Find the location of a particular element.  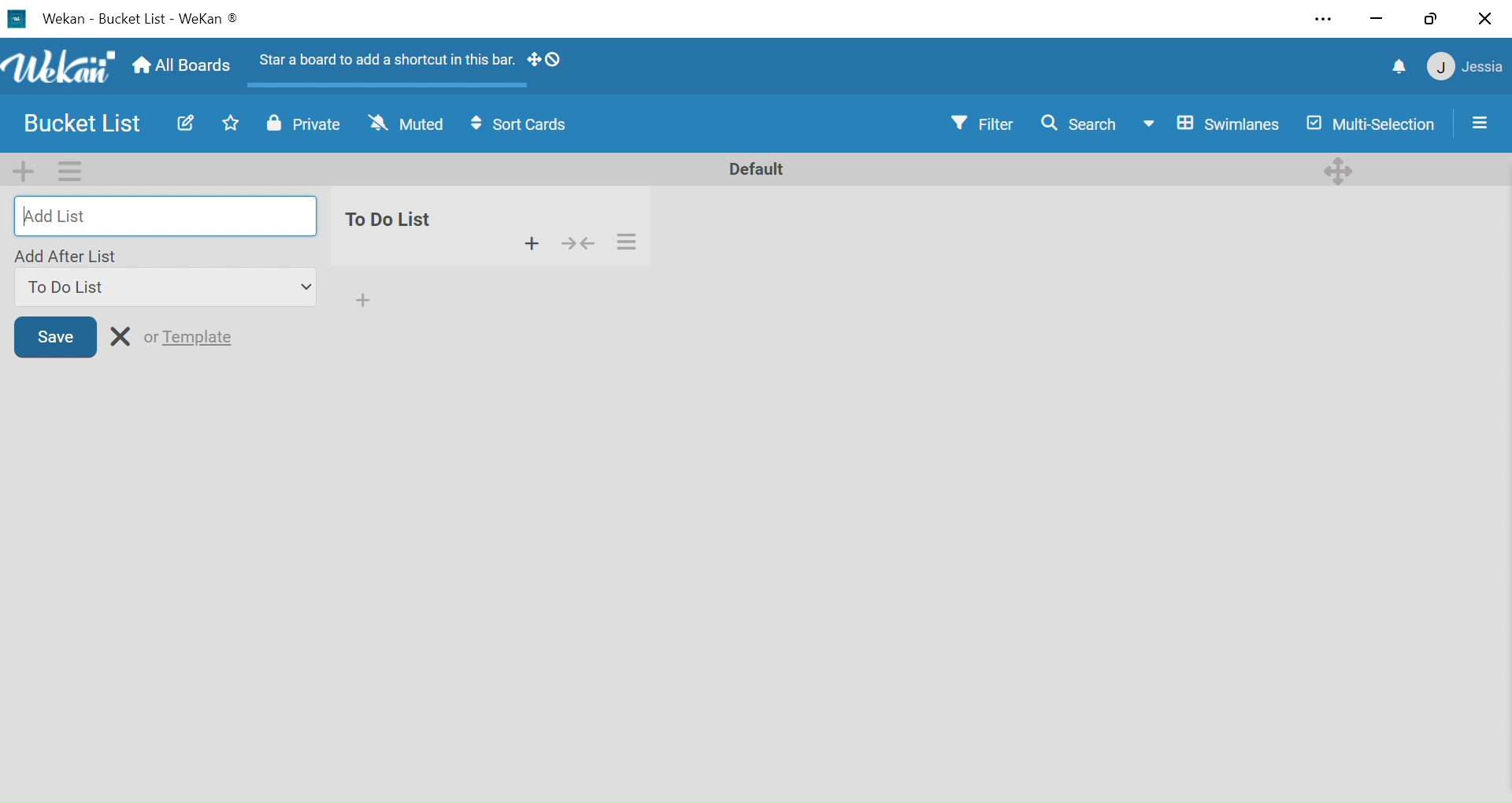

After List Field is located at coordinates (150, 287).